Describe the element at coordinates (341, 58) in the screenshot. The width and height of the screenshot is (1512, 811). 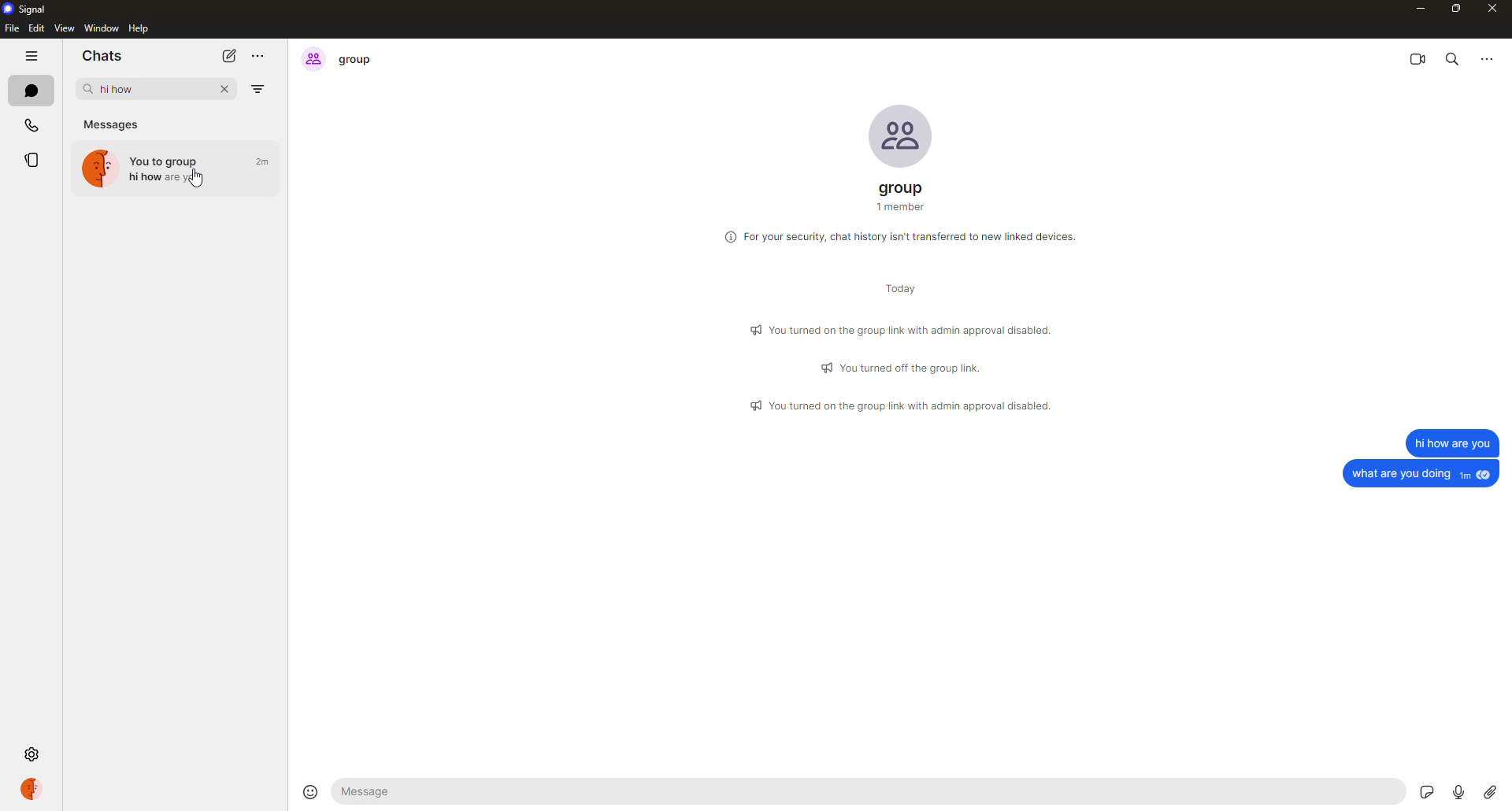
I see `group` at that location.